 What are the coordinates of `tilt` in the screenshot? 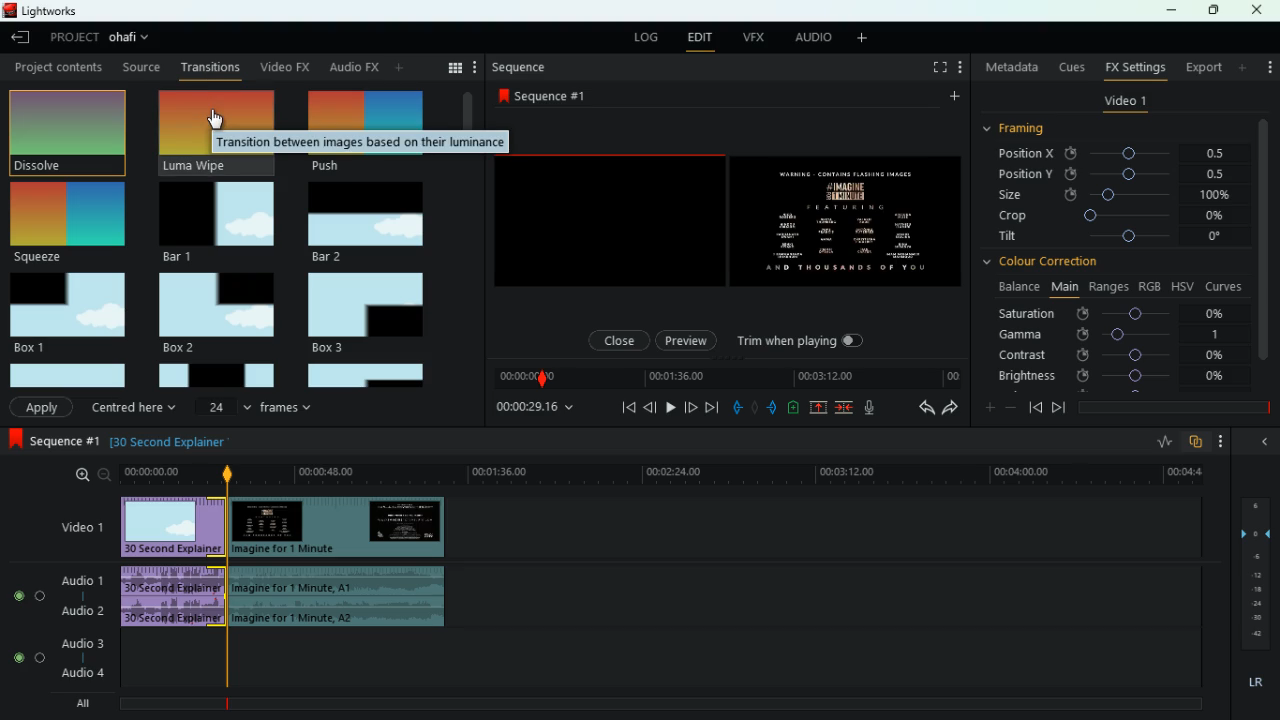 It's located at (1113, 238).